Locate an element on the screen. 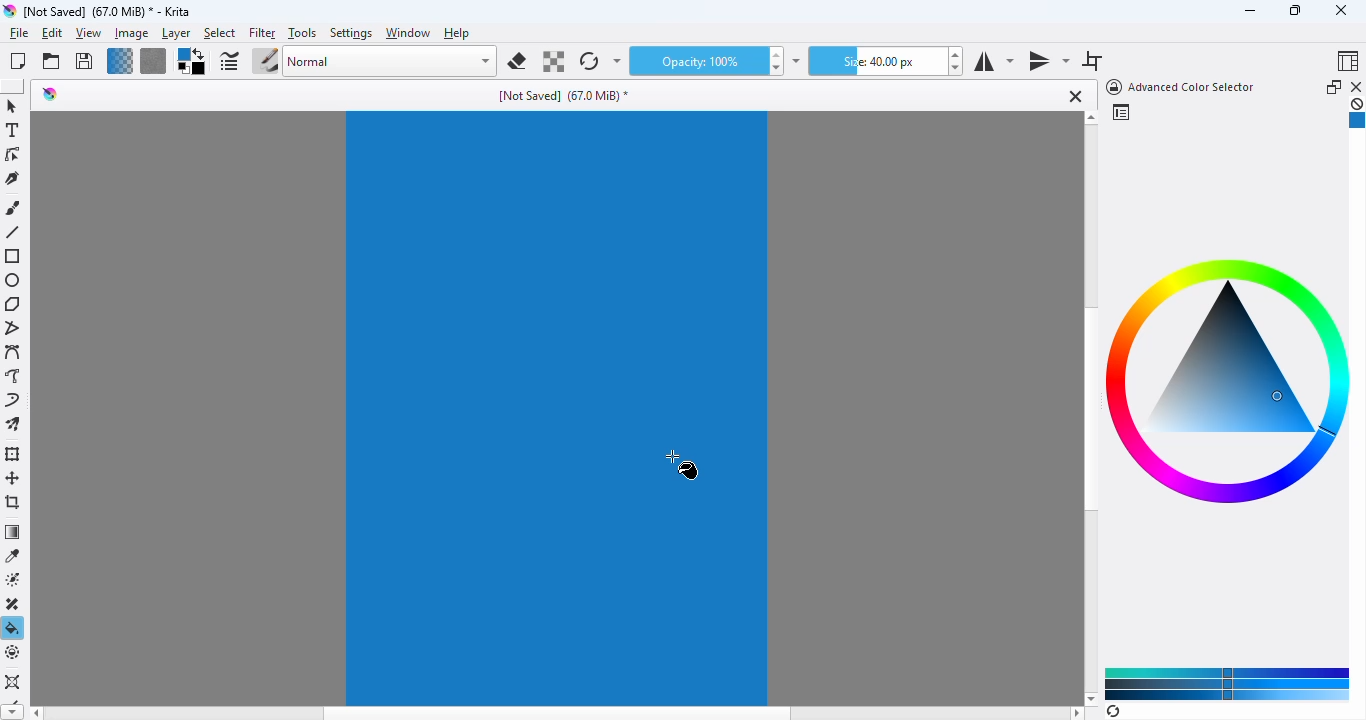 The image size is (1366, 720). wrap around mode is located at coordinates (1092, 61).